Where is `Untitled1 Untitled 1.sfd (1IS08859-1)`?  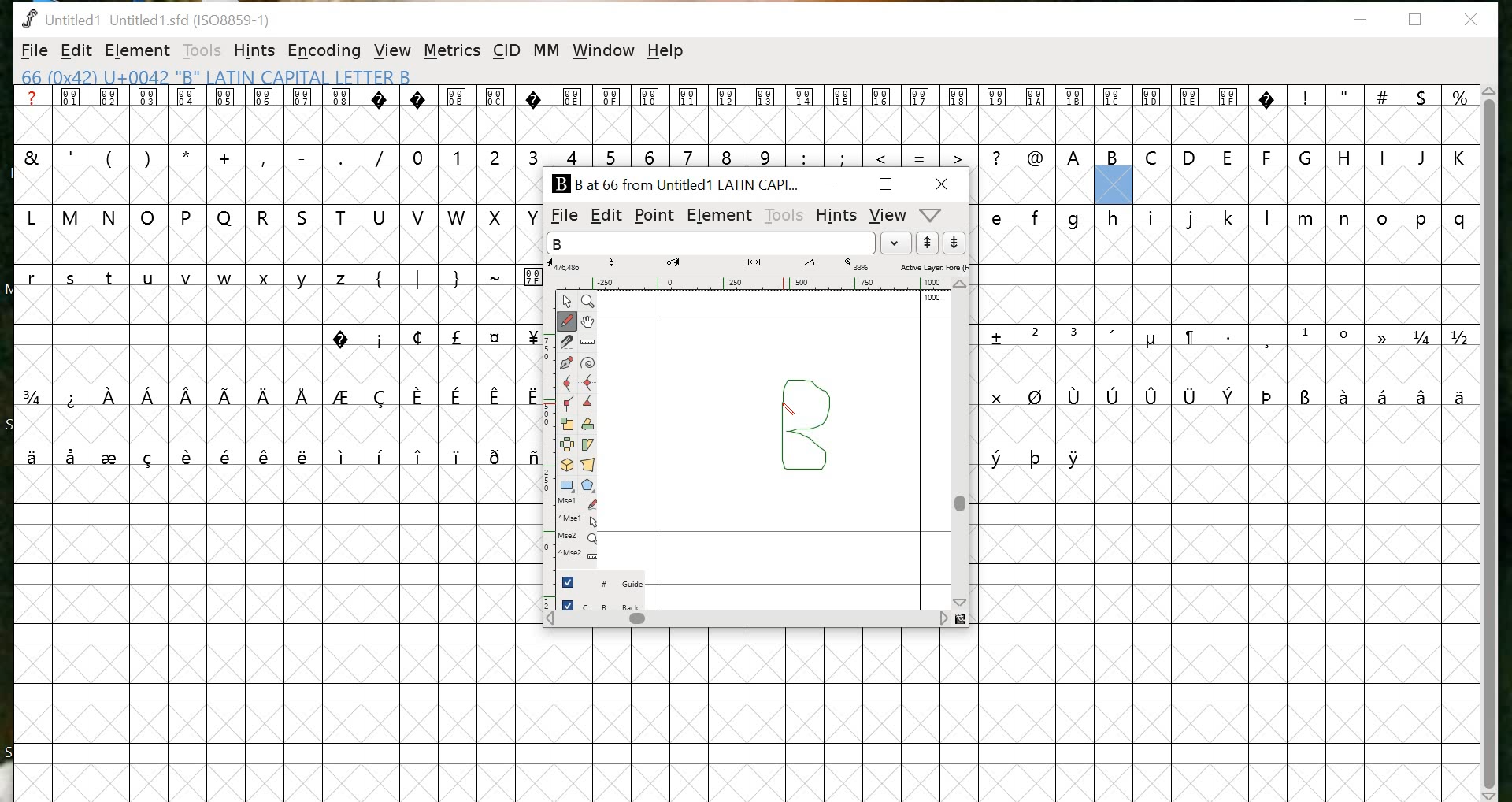 Untitled1 Untitled 1.sfd (1IS08859-1) is located at coordinates (145, 18).